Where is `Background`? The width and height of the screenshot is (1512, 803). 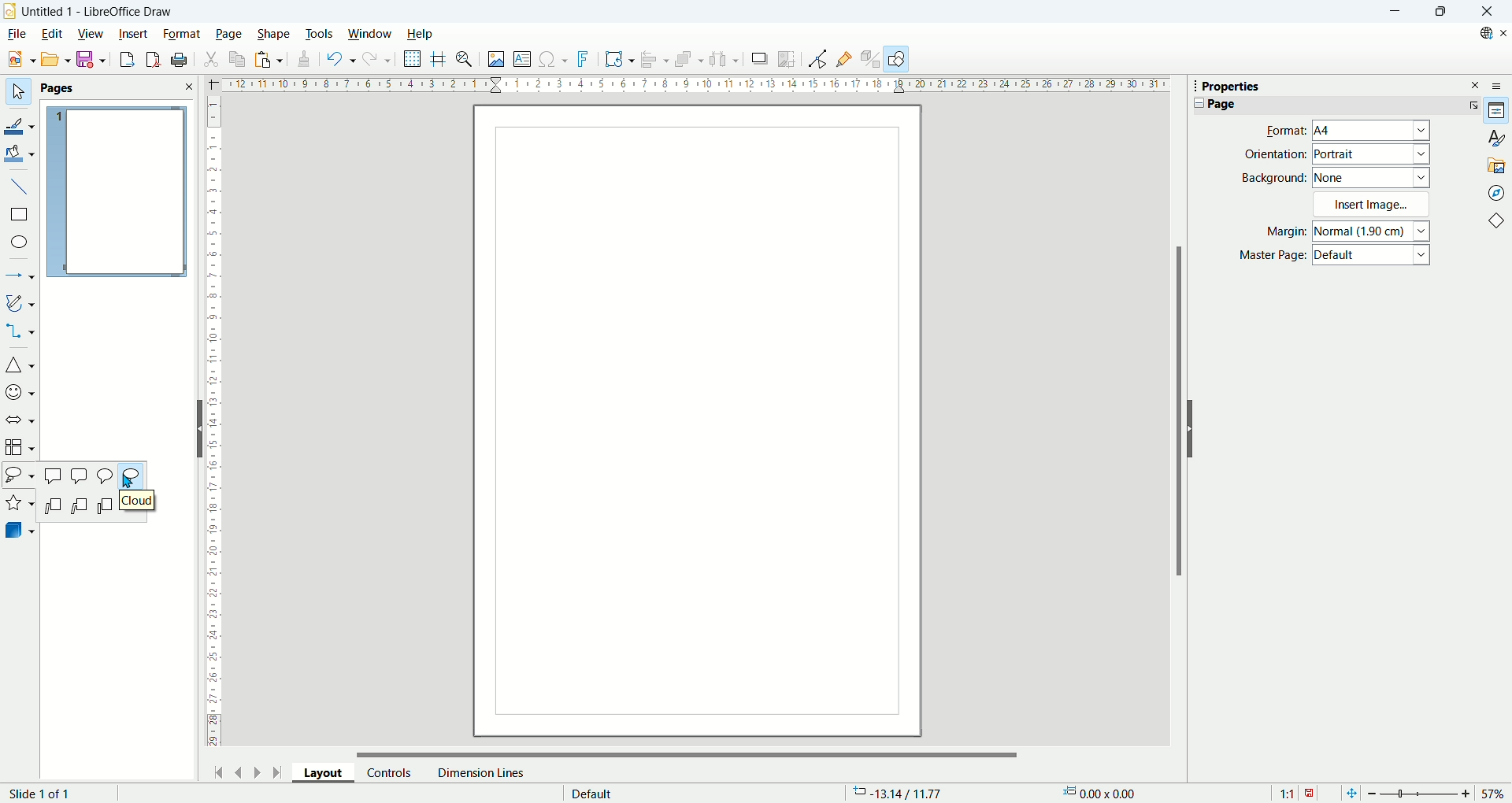 Background is located at coordinates (1274, 177).